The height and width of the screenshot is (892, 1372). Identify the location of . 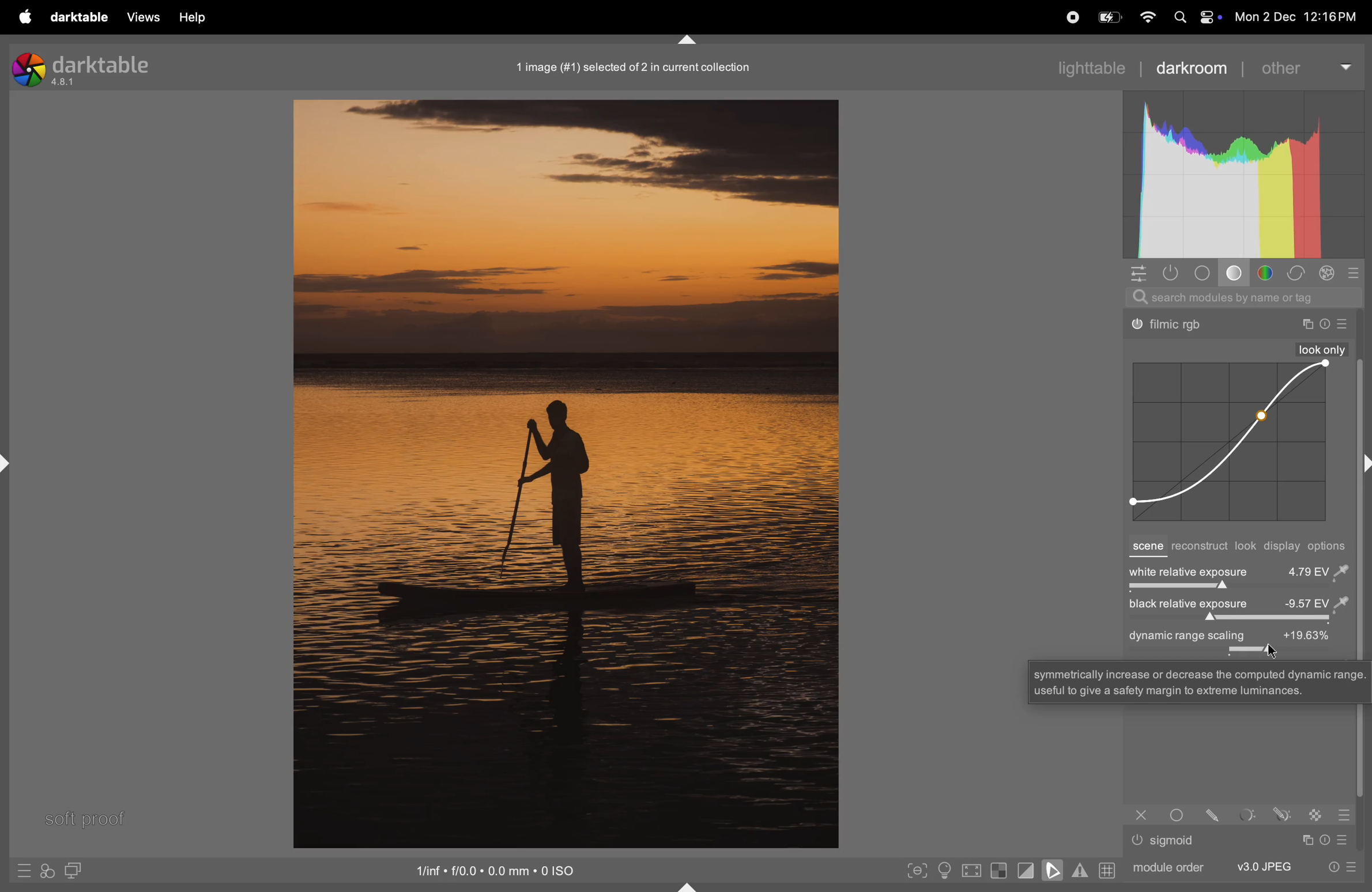
(1180, 814).